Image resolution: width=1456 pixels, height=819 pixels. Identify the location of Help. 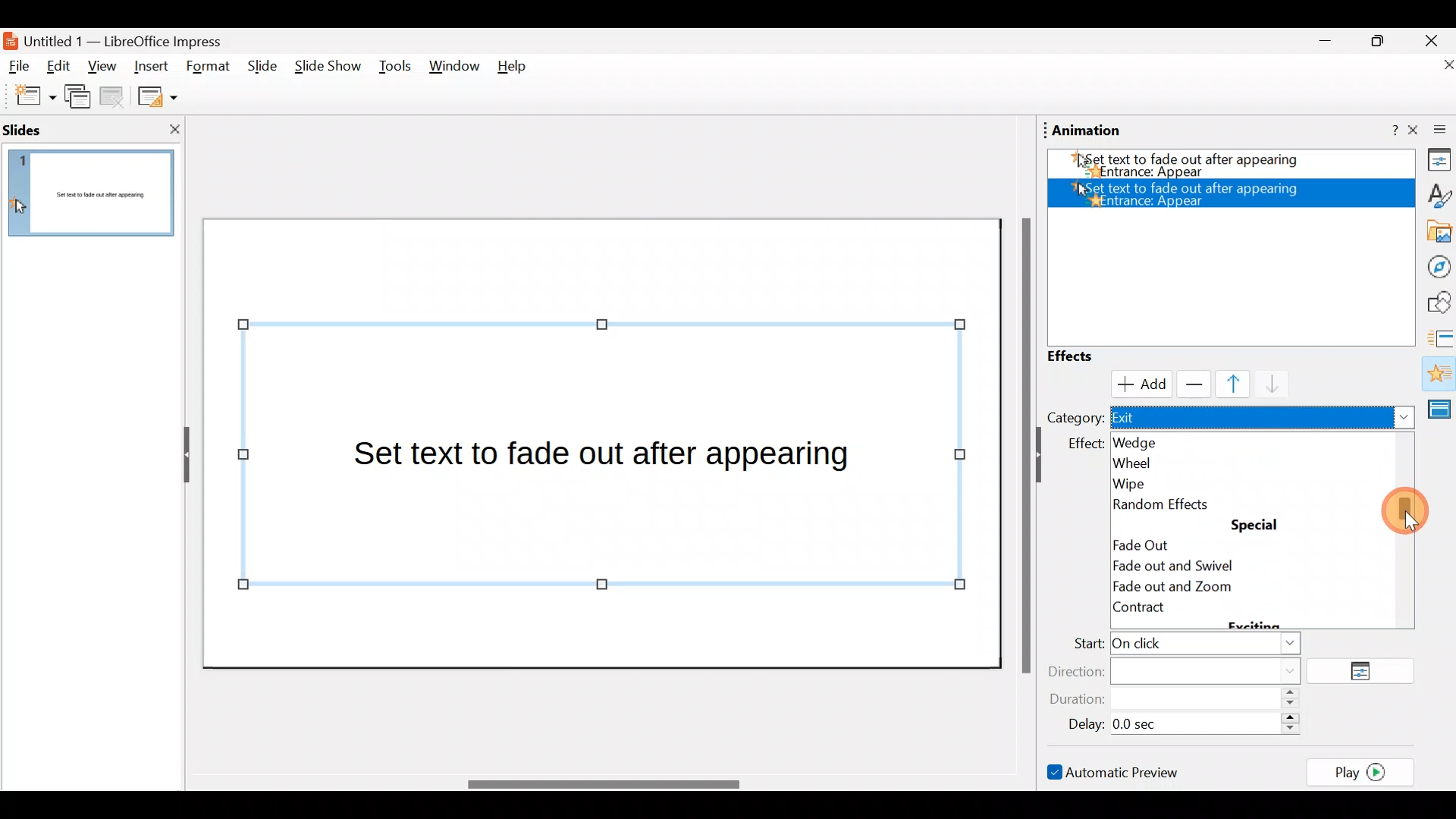
(1384, 131).